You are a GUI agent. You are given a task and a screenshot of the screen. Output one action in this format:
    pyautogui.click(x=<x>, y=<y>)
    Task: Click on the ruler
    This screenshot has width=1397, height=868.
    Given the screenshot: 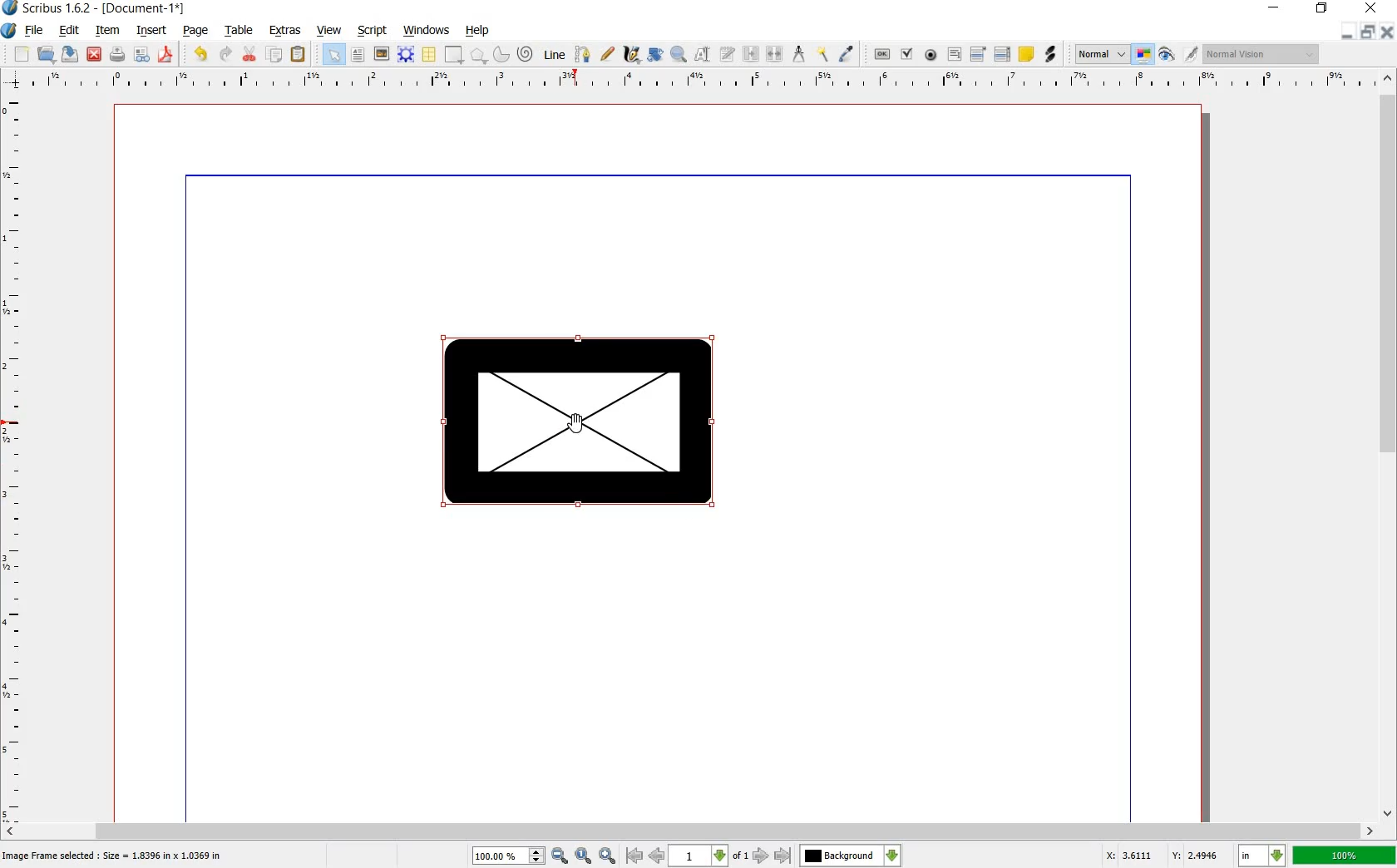 What is the action you would take?
    pyautogui.click(x=19, y=457)
    